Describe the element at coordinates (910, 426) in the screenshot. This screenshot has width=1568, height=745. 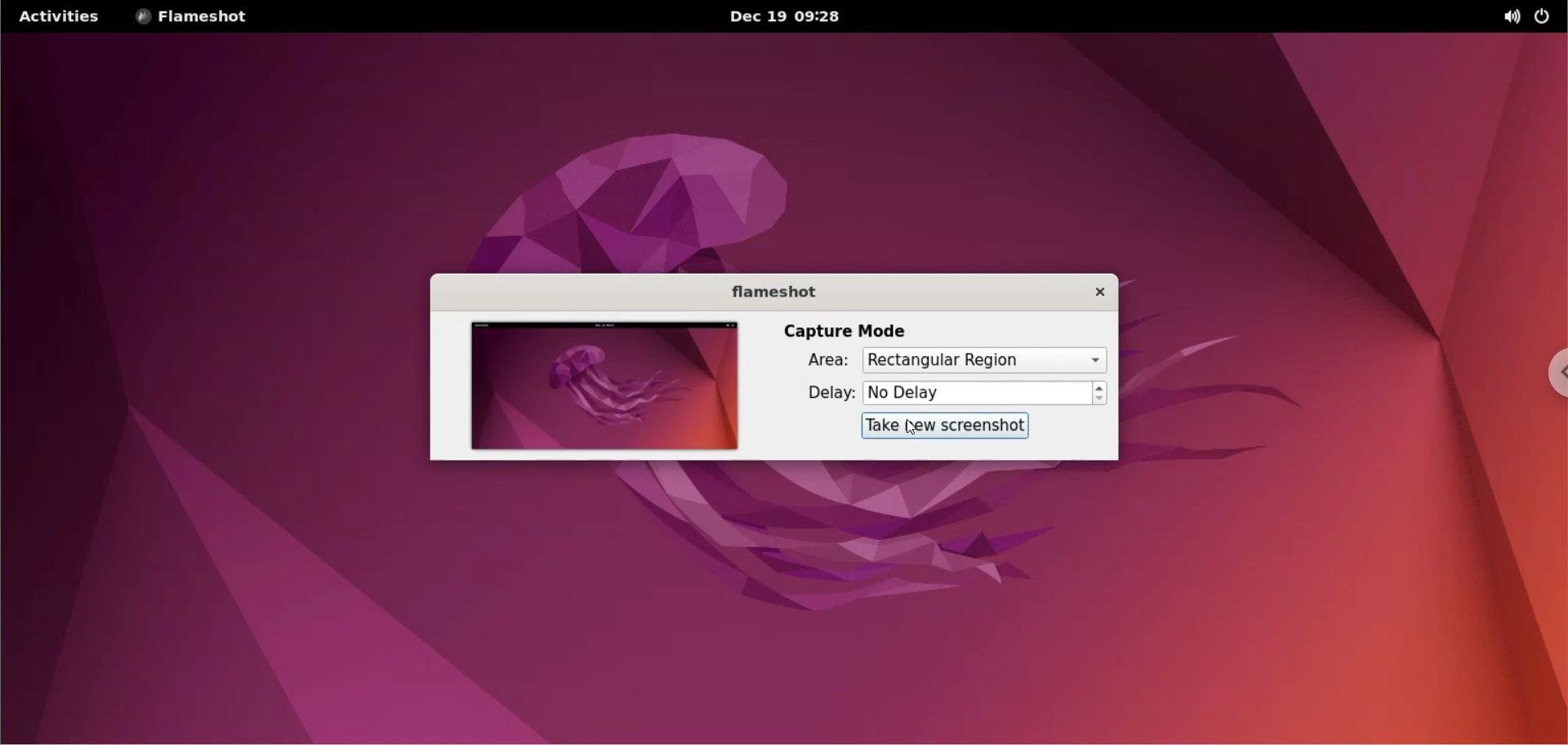
I see `cursor` at that location.